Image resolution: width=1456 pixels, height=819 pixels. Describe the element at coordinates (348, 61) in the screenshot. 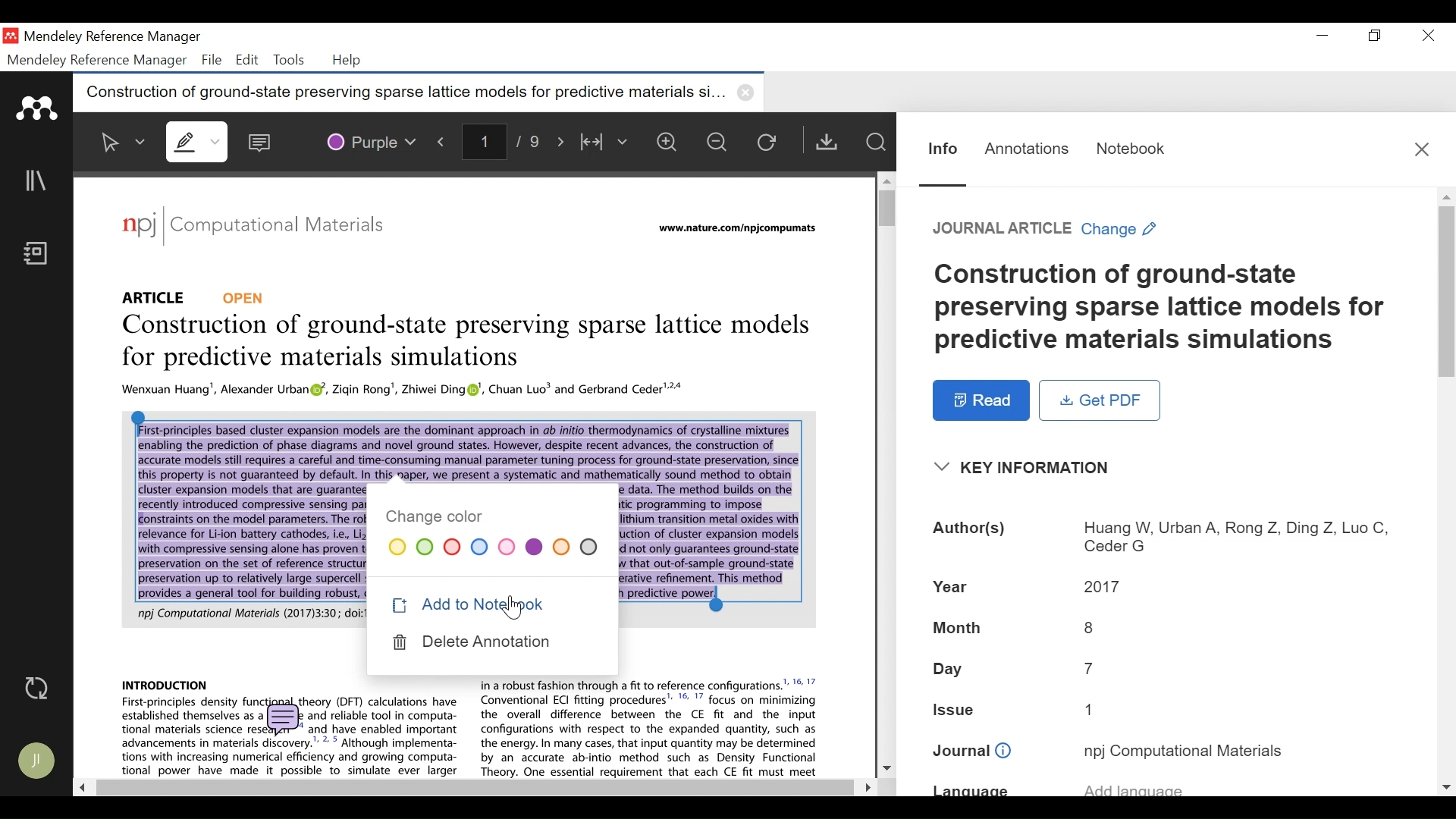

I see `Help` at that location.